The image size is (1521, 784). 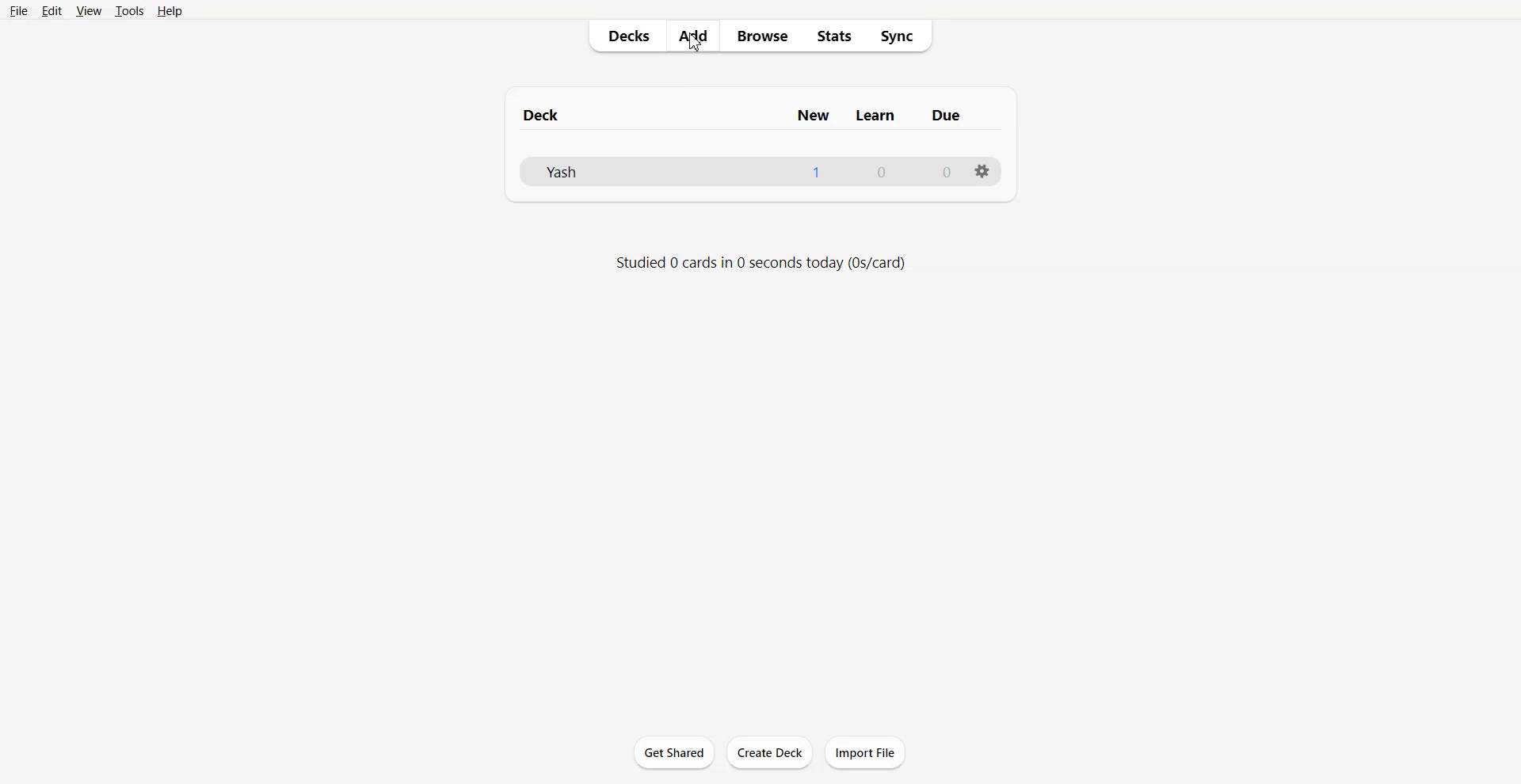 What do you see at coordinates (130, 12) in the screenshot?
I see `Tools` at bounding box center [130, 12].